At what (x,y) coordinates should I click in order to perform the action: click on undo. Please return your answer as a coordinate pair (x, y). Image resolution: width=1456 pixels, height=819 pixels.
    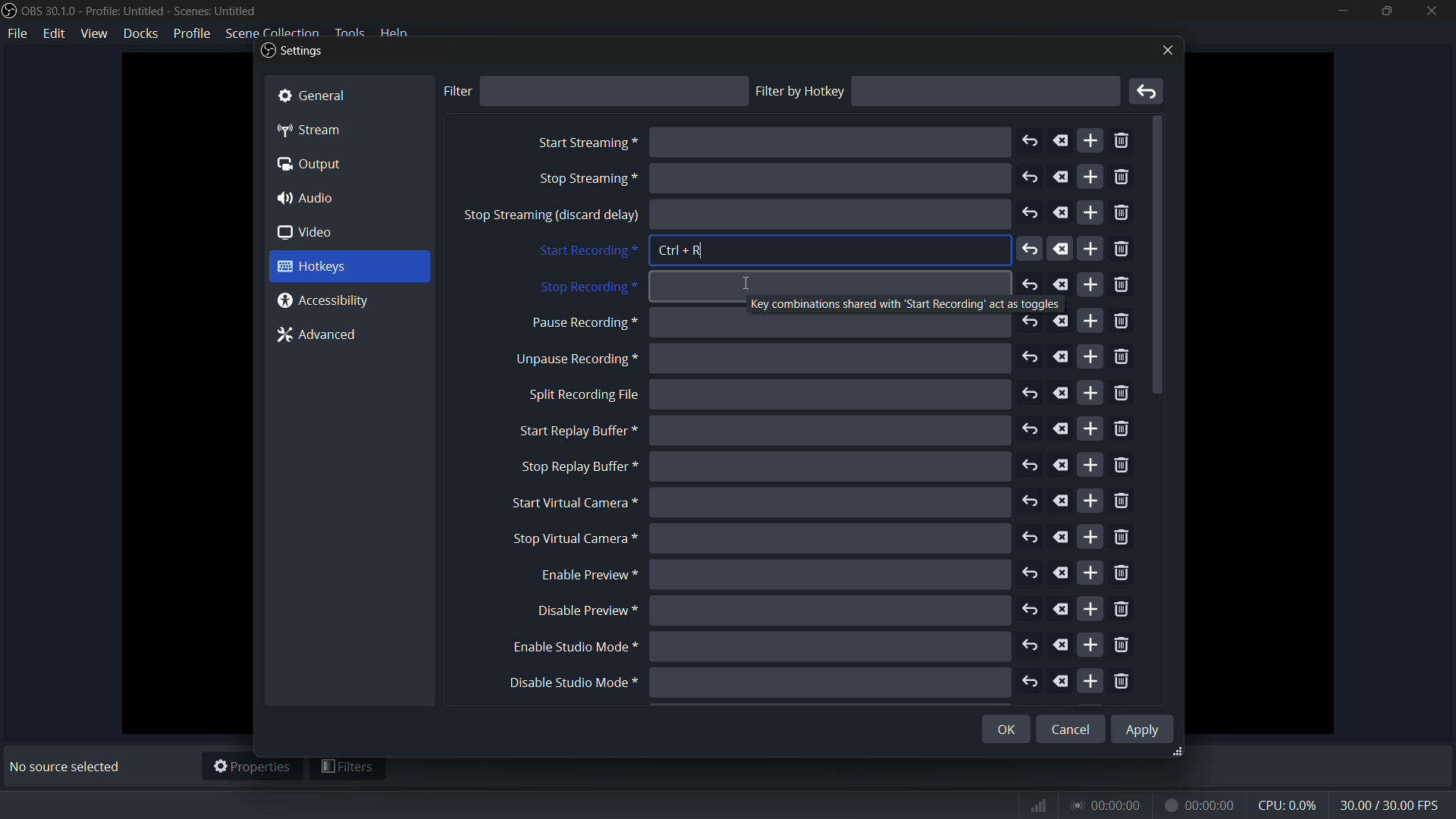
    Looking at the image, I should click on (1030, 177).